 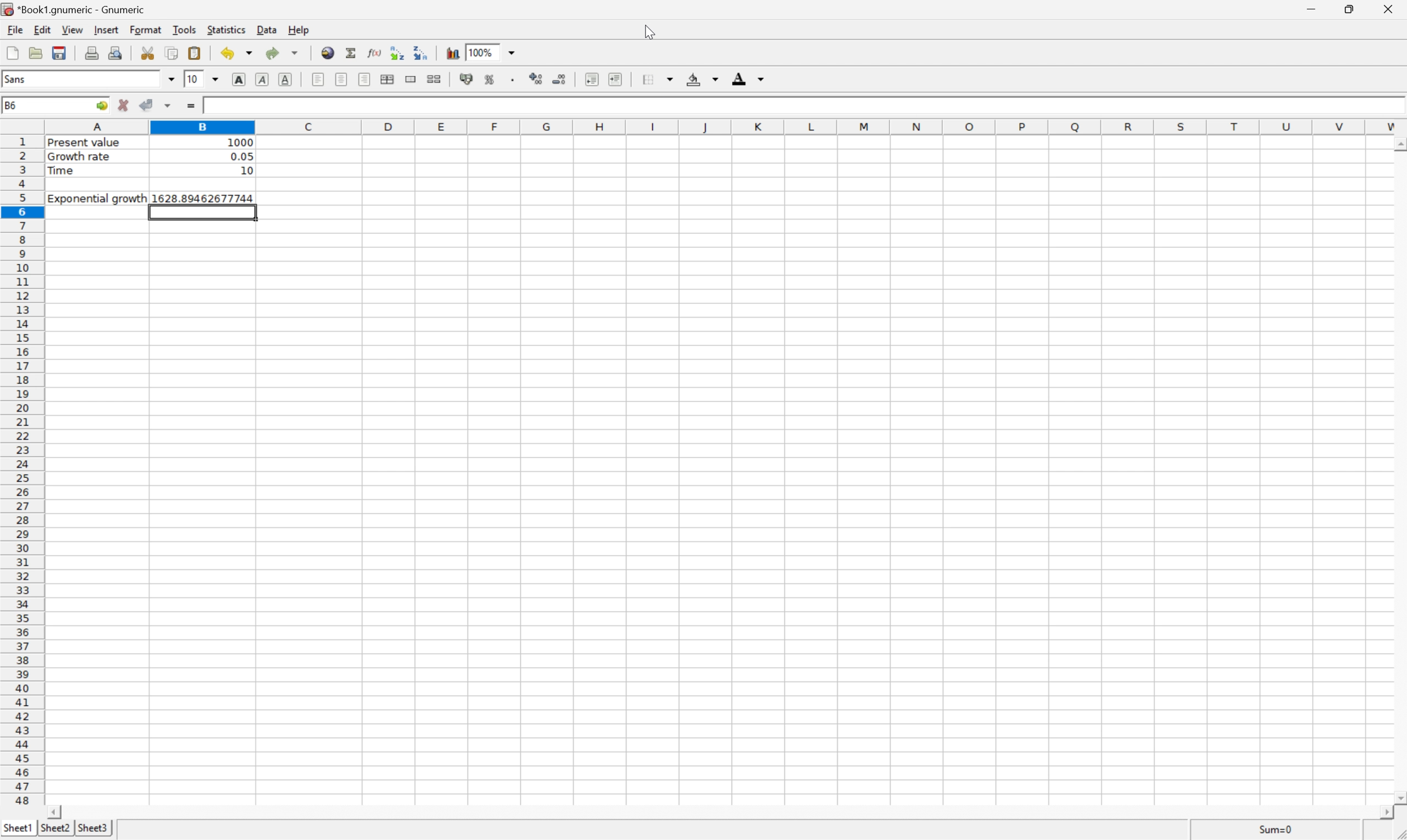 What do you see at coordinates (167, 105) in the screenshot?
I see `Accept changes in multiple cells` at bounding box center [167, 105].